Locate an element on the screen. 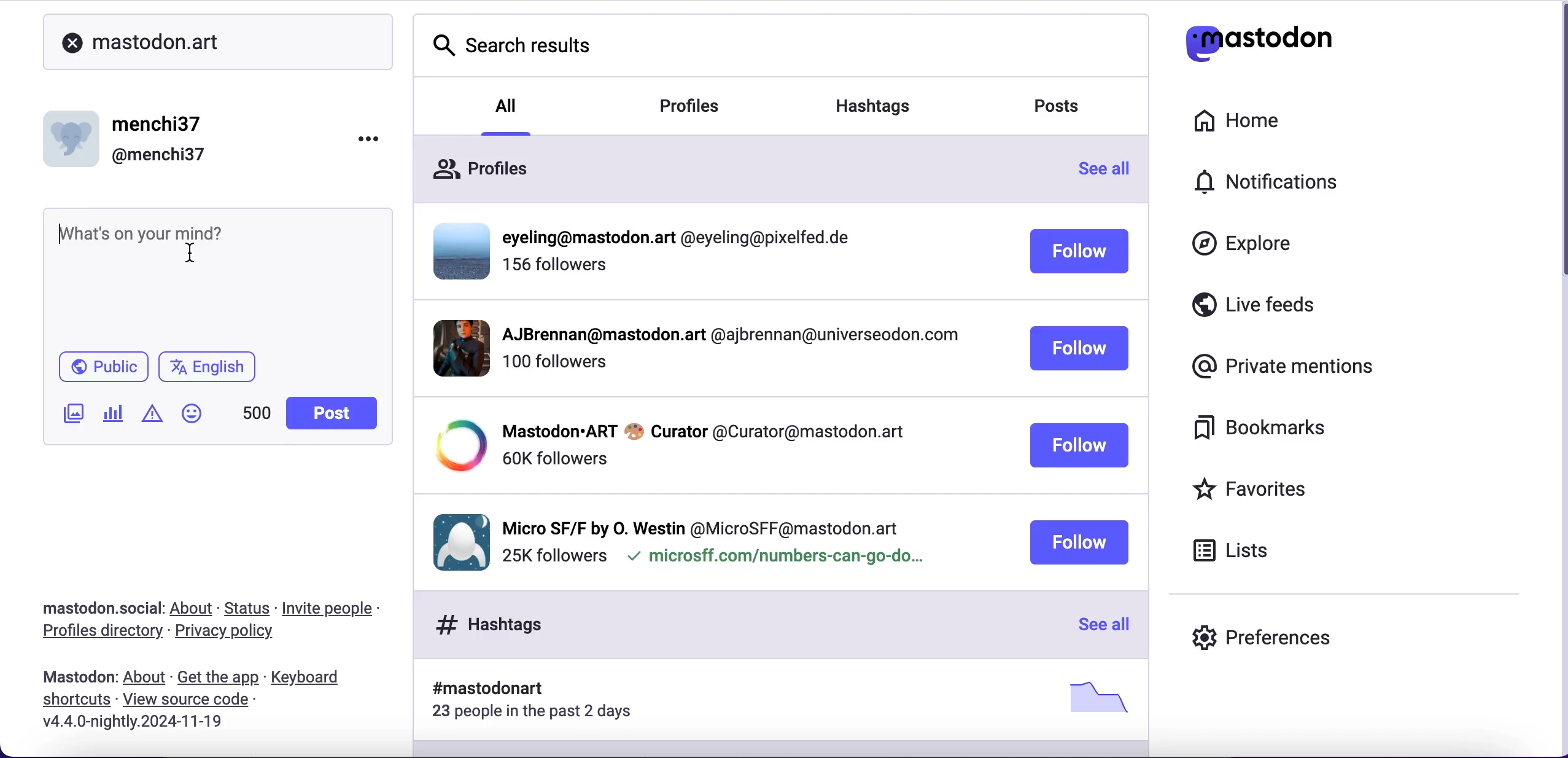 The image size is (1568, 758). home is located at coordinates (1277, 120).